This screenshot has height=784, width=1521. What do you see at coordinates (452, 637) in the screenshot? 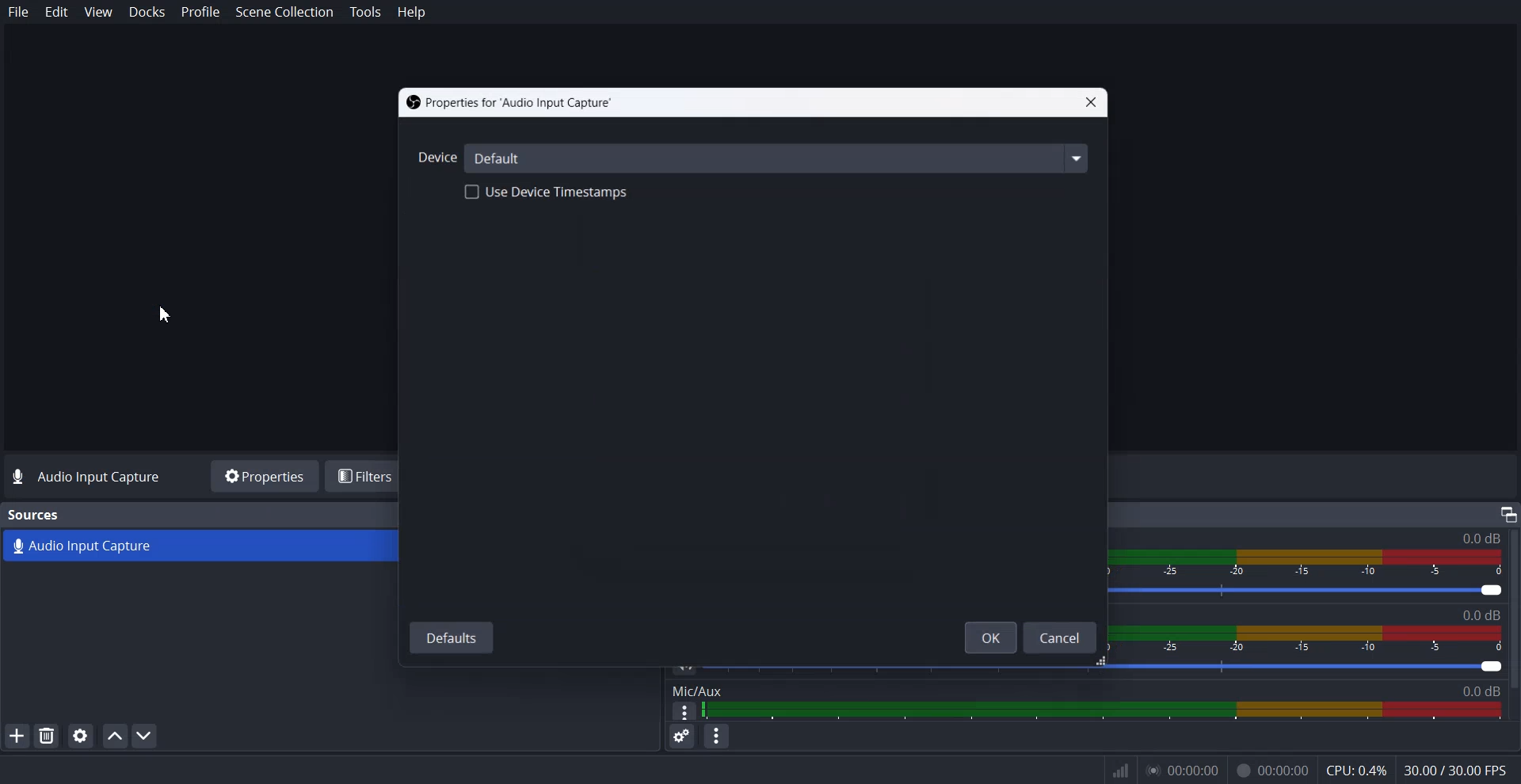
I see `Default` at bounding box center [452, 637].